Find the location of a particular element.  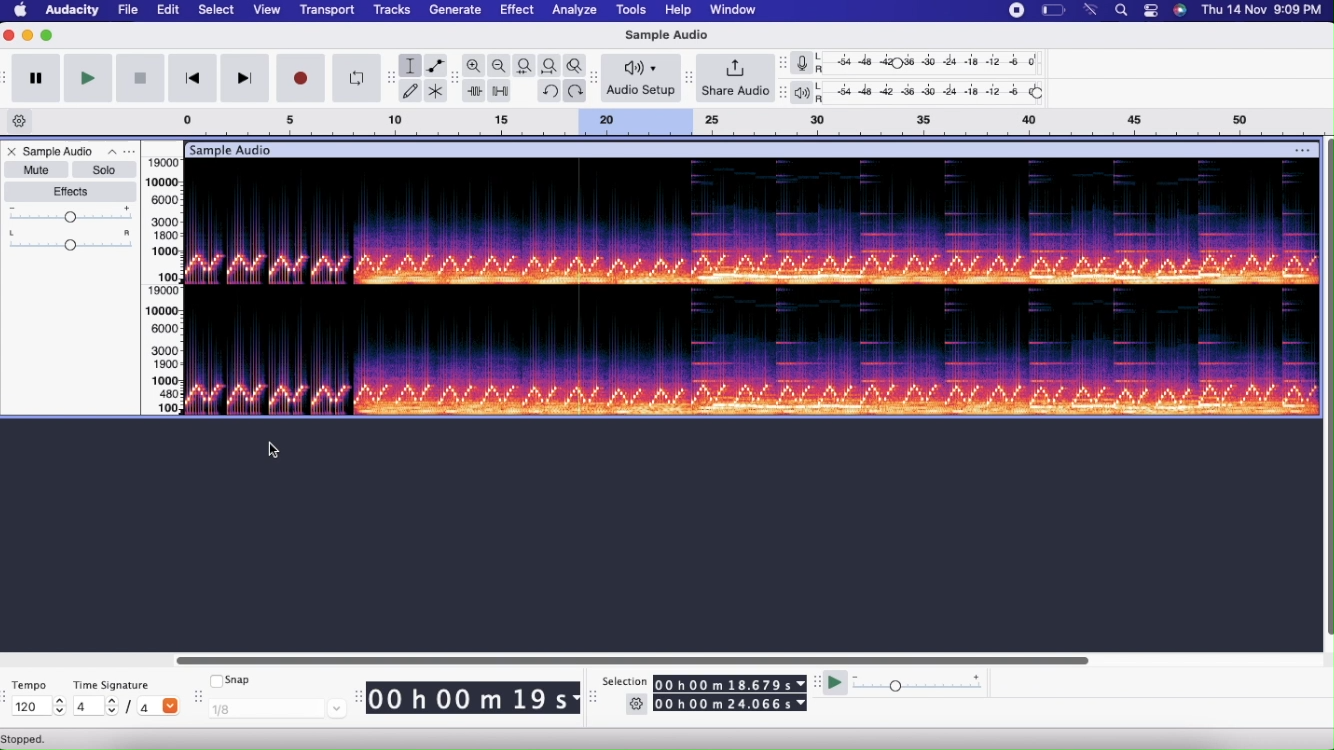

00 h 00 m 18.679 s is located at coordinates (731, 683).